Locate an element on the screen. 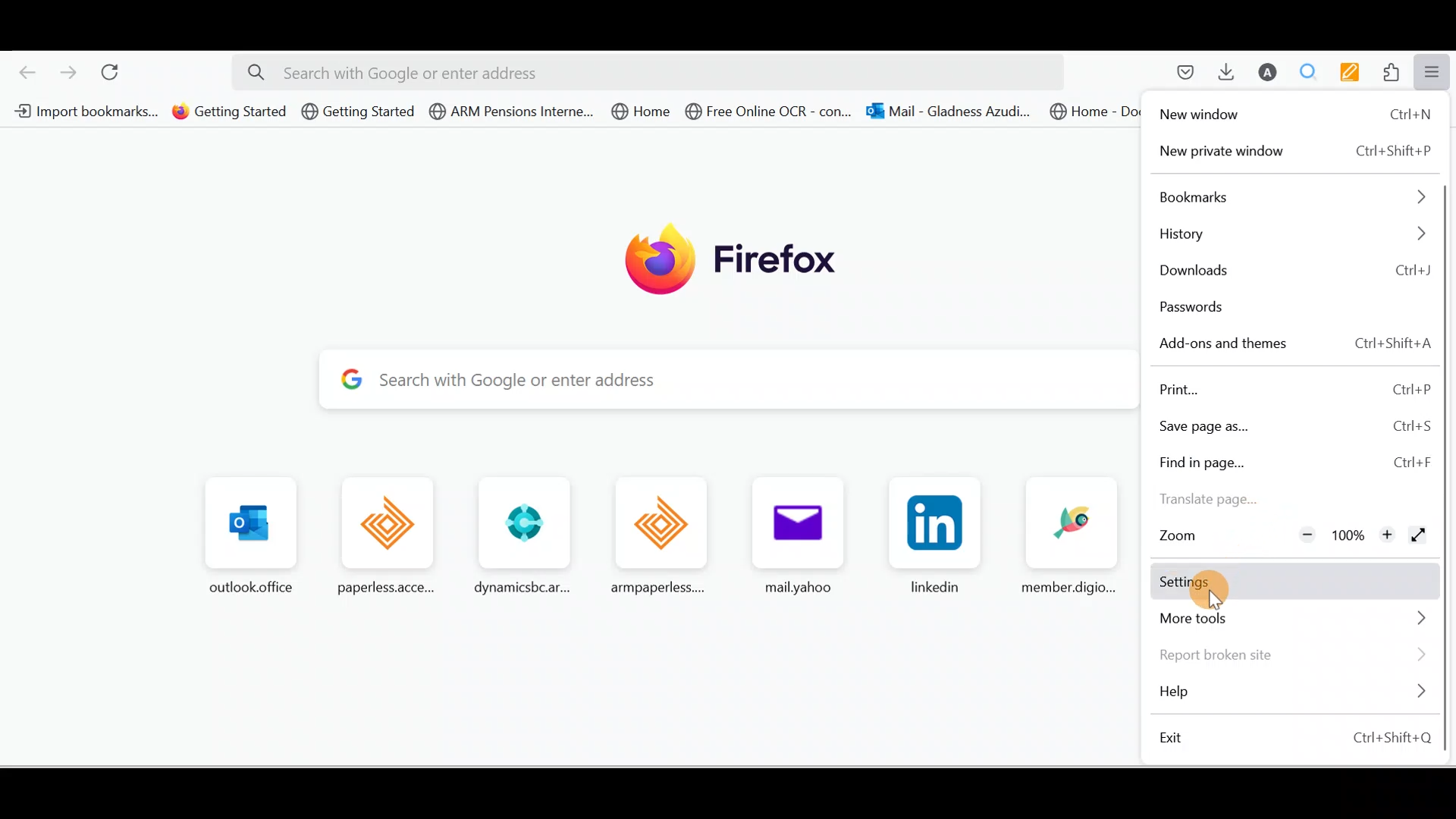  Frequently browsed page is located at coordinates (519, 535).